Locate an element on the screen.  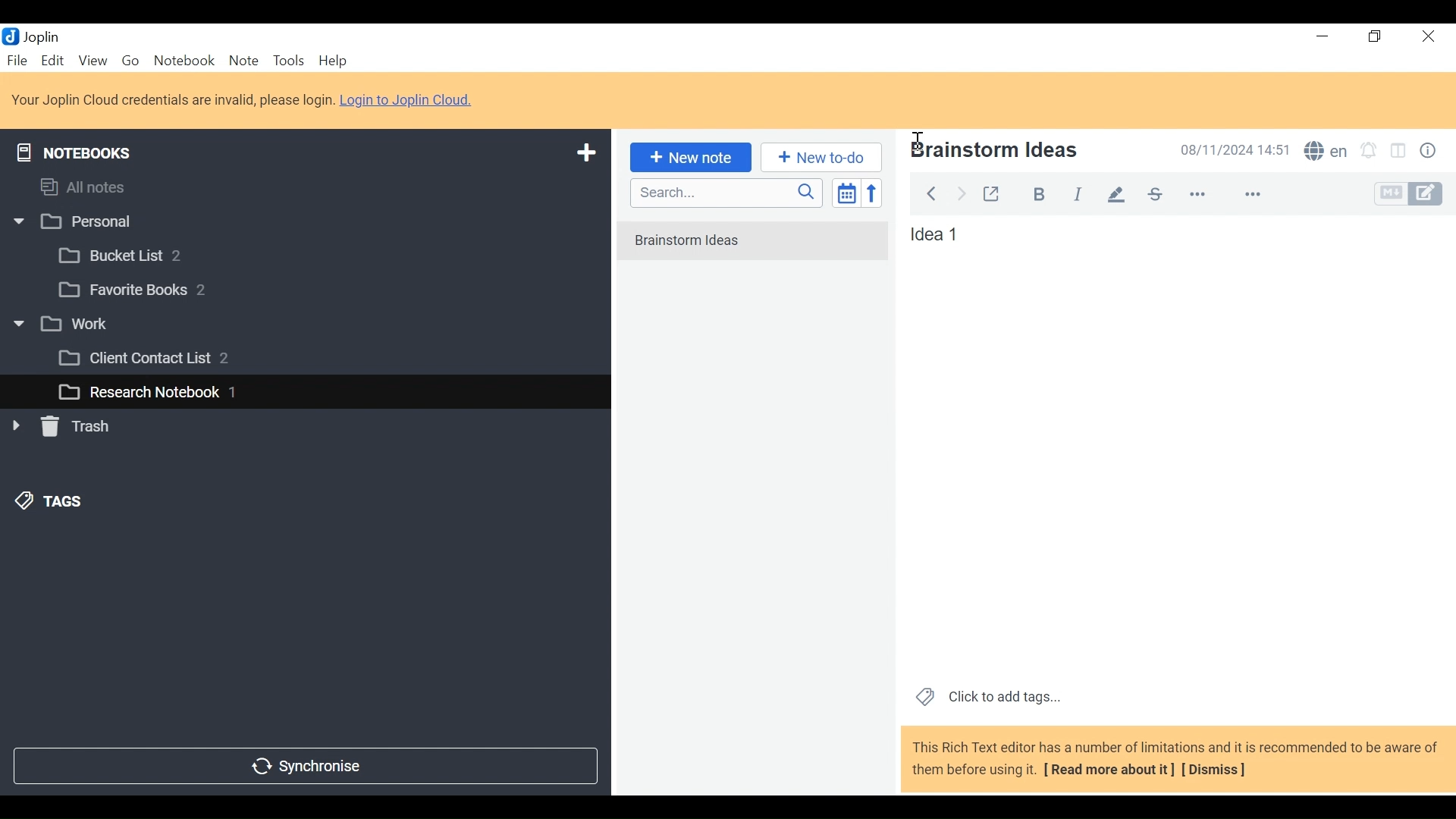
Reverse Sort order is located at coordinates (875, 193).